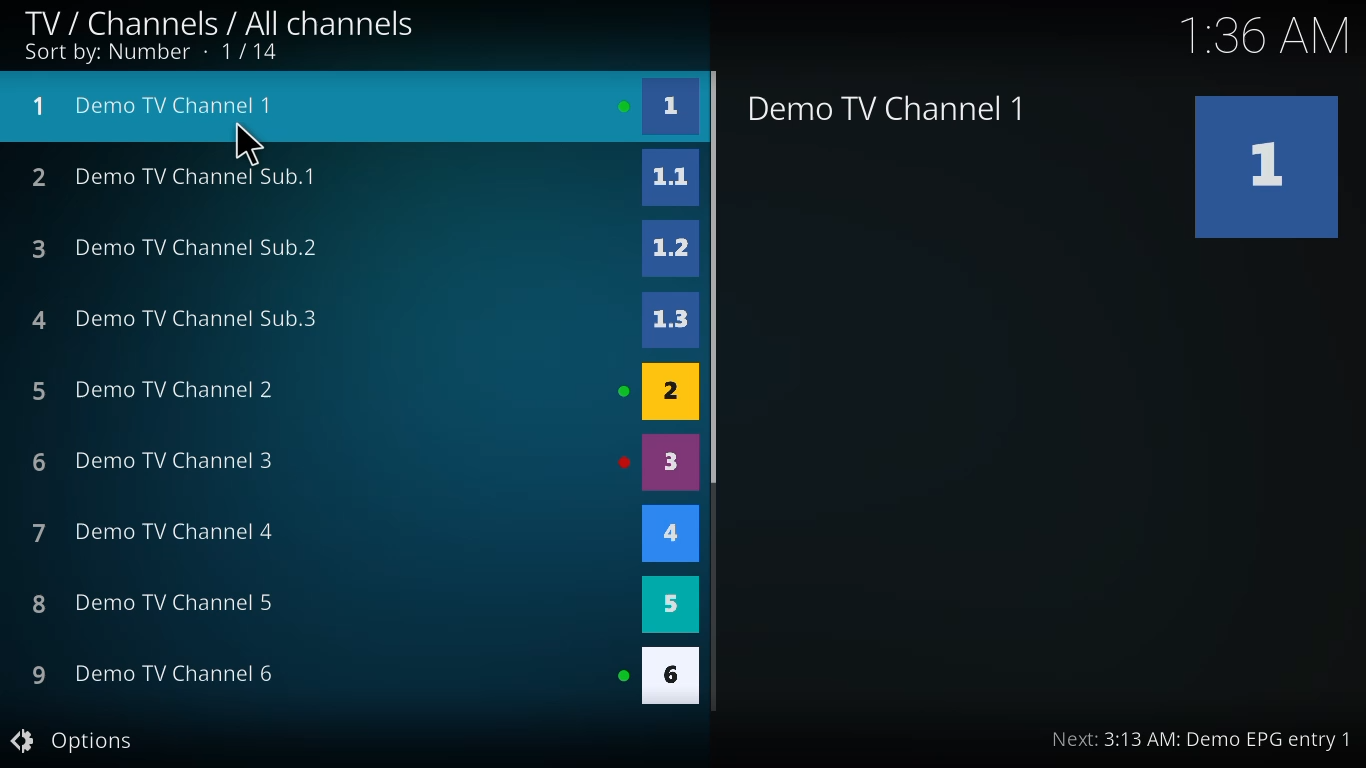 The image size is (1366, 768). I want to click on next, so click(1200, 738).